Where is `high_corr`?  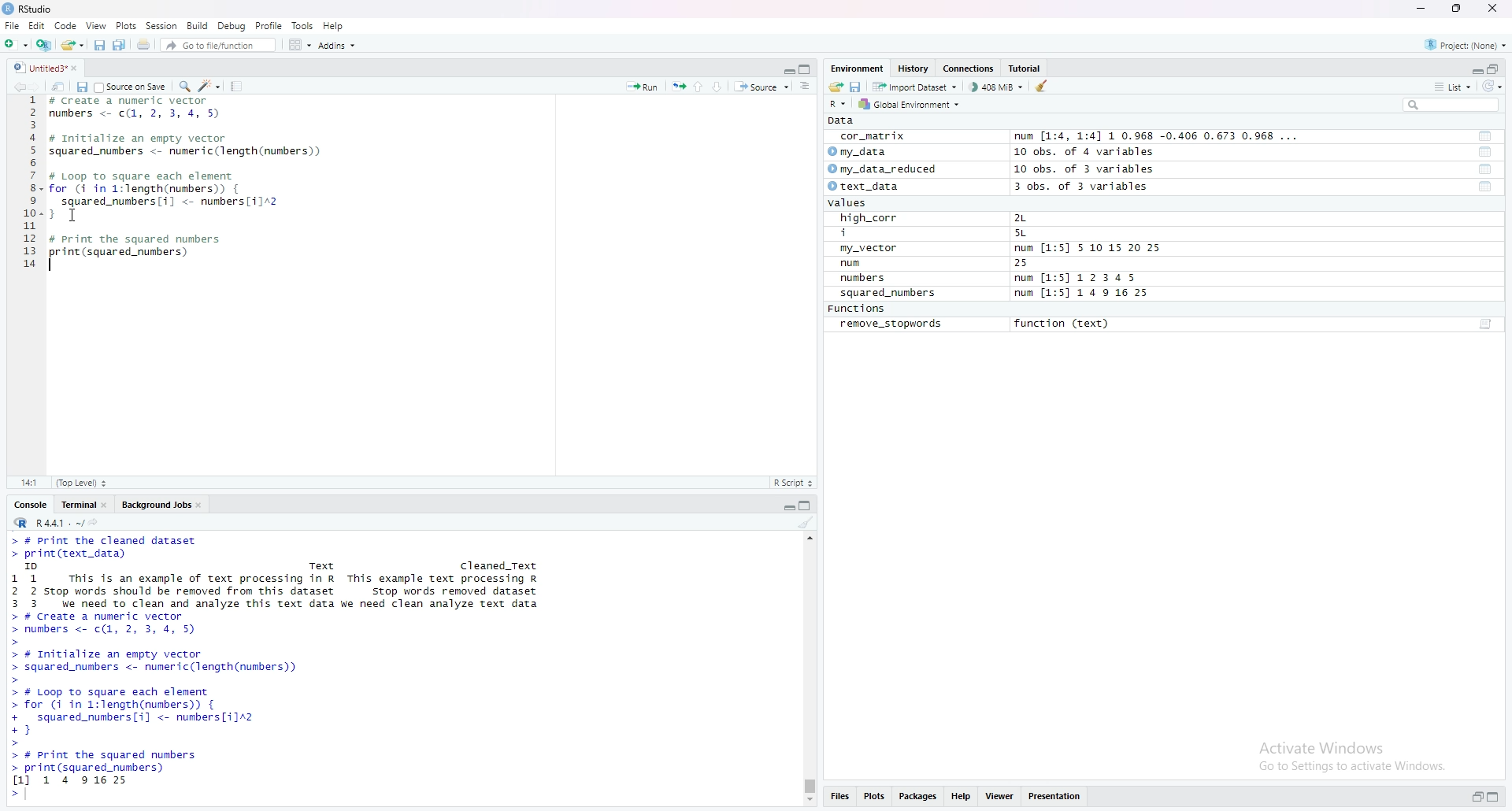 high_corr is located at coordinates (870, 218).